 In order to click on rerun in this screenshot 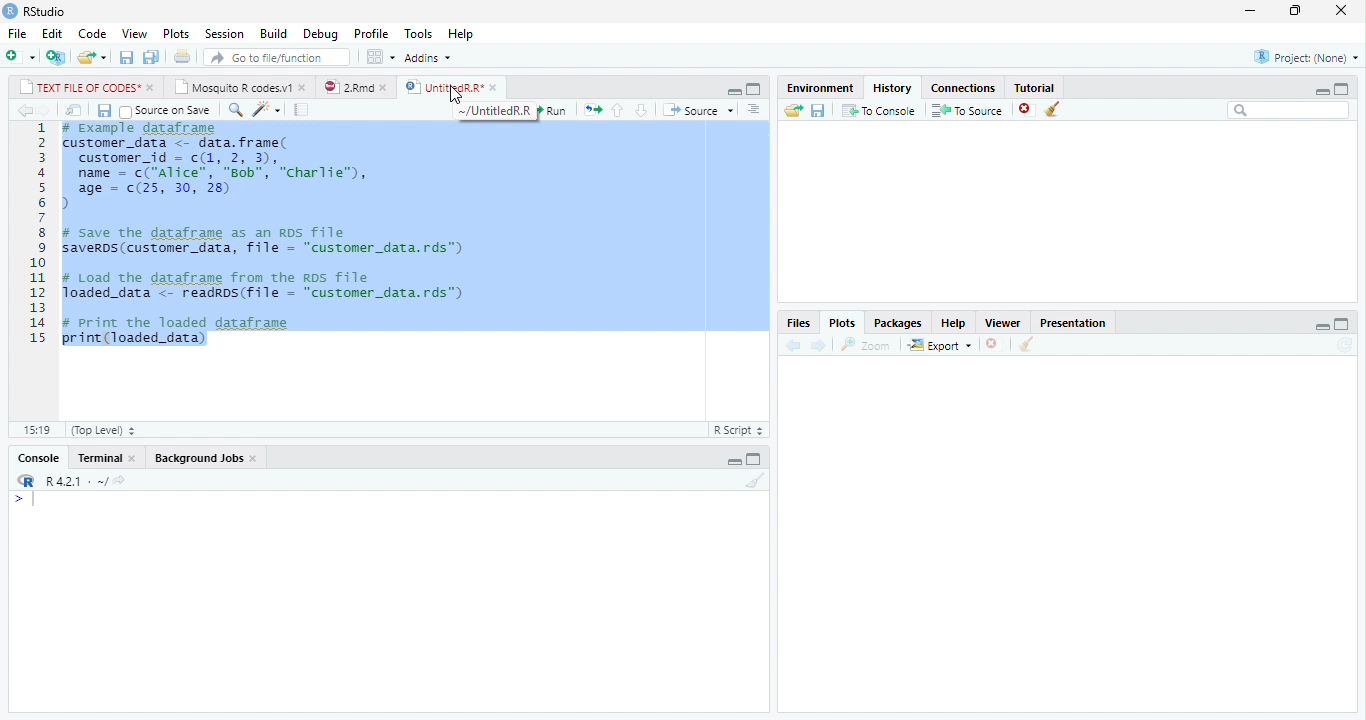, I will do `click(592, 111)`.